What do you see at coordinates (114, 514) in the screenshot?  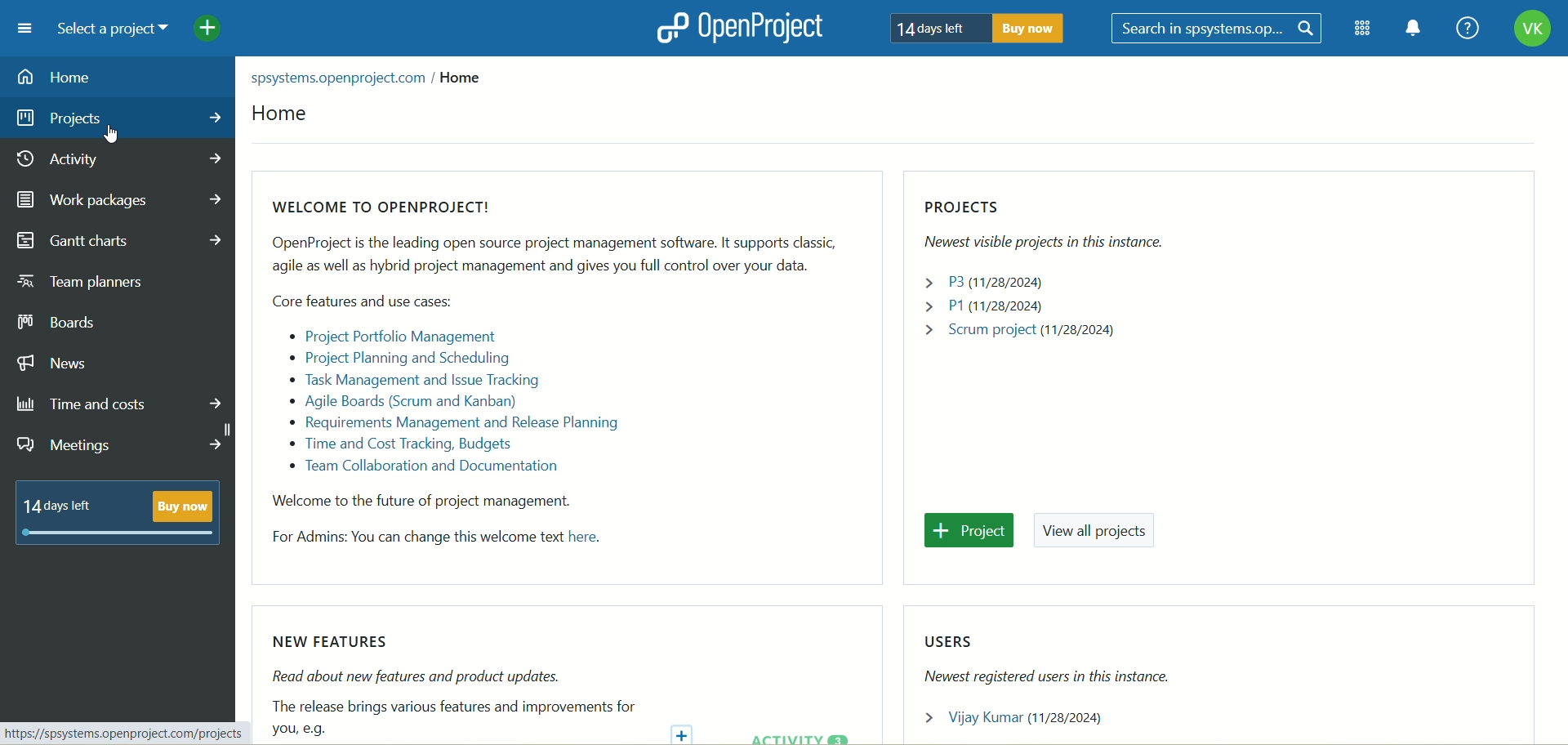 I see `14 days left buy now` at bounding box center [114, 514].